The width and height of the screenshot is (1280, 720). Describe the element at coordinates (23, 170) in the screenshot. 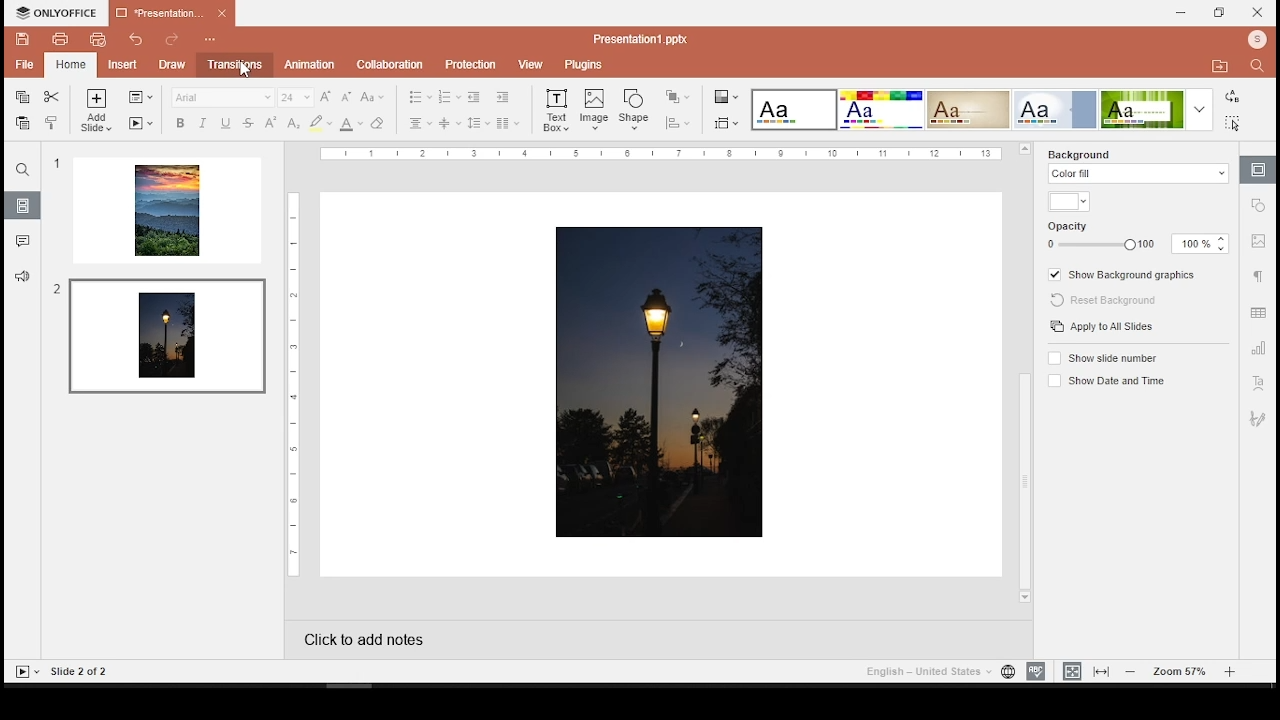

I see `find` at that location.